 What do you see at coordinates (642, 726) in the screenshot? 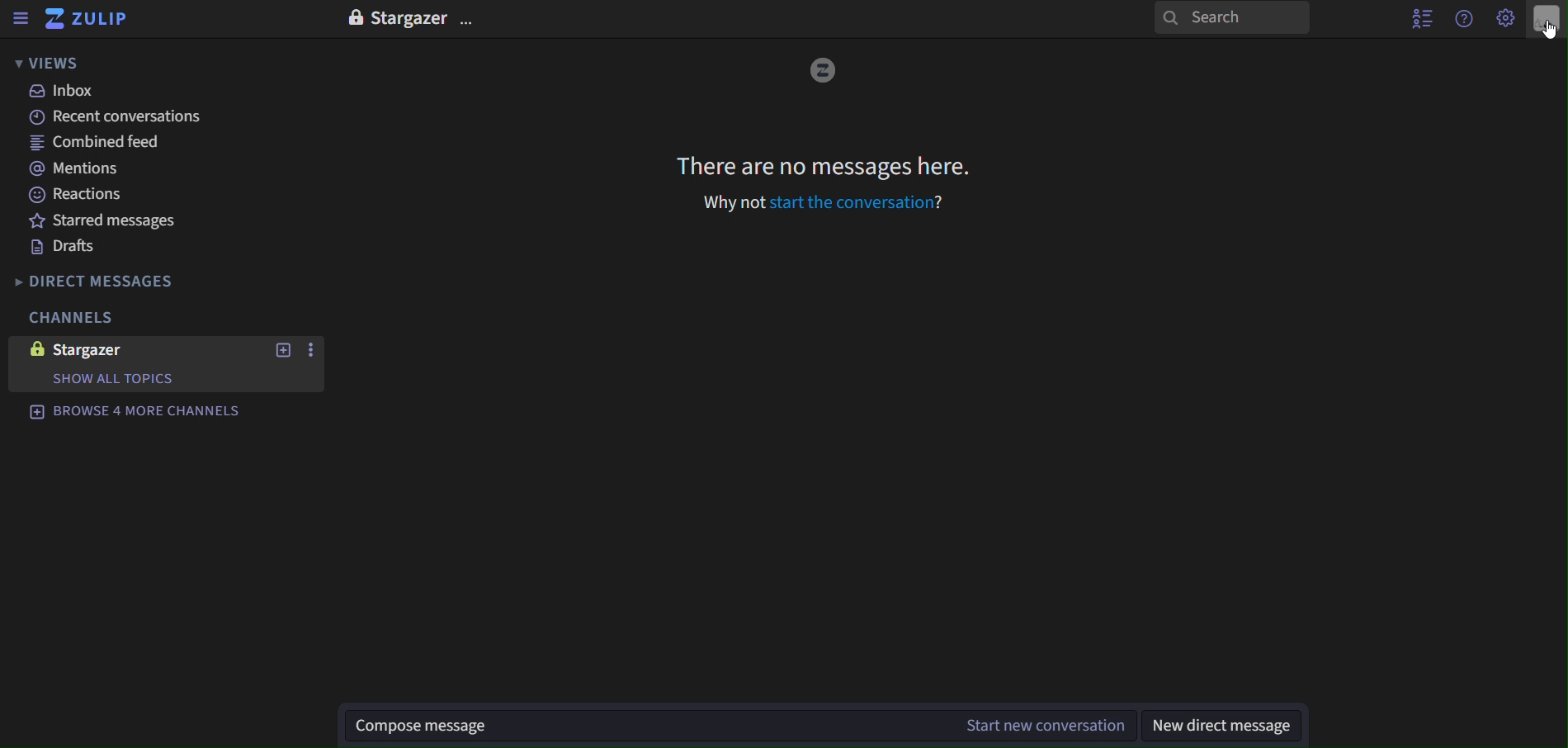
I see `Compose message` at bounding box center [642, 726].